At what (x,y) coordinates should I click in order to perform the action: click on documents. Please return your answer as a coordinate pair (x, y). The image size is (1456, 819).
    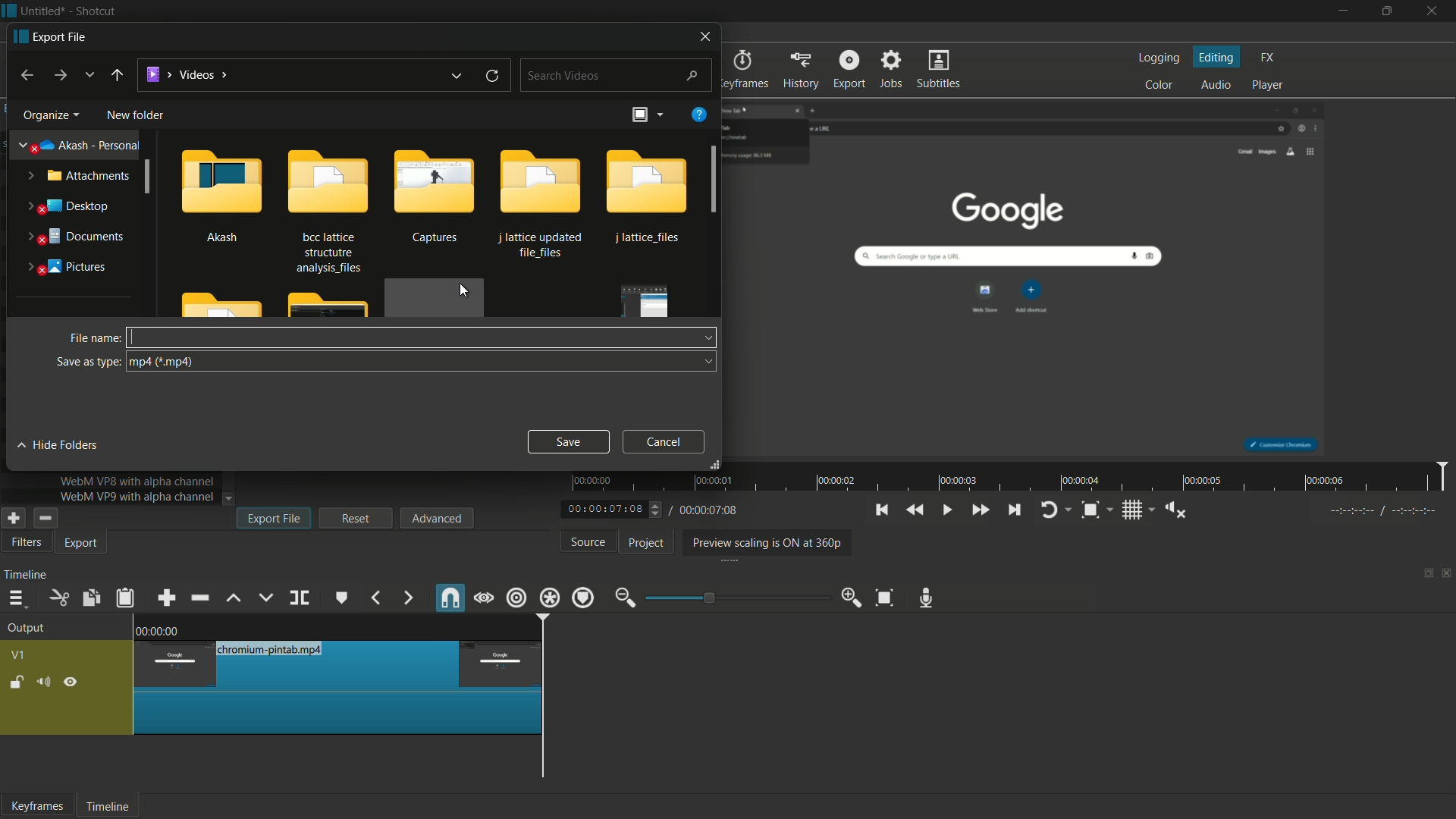
    Looking at the image, I should click on (72, 237).